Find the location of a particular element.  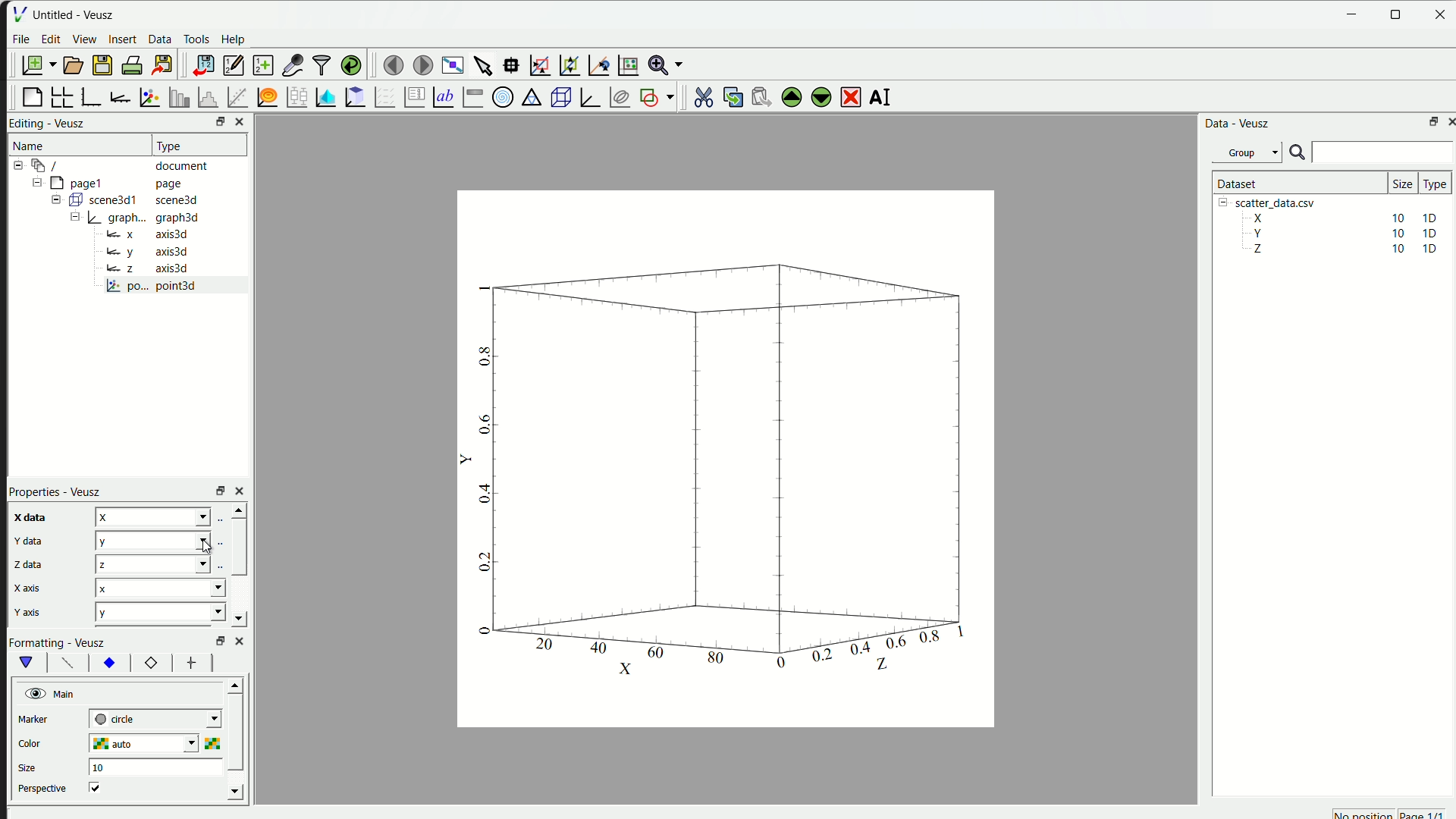

z is located at coordinates (170, 515).